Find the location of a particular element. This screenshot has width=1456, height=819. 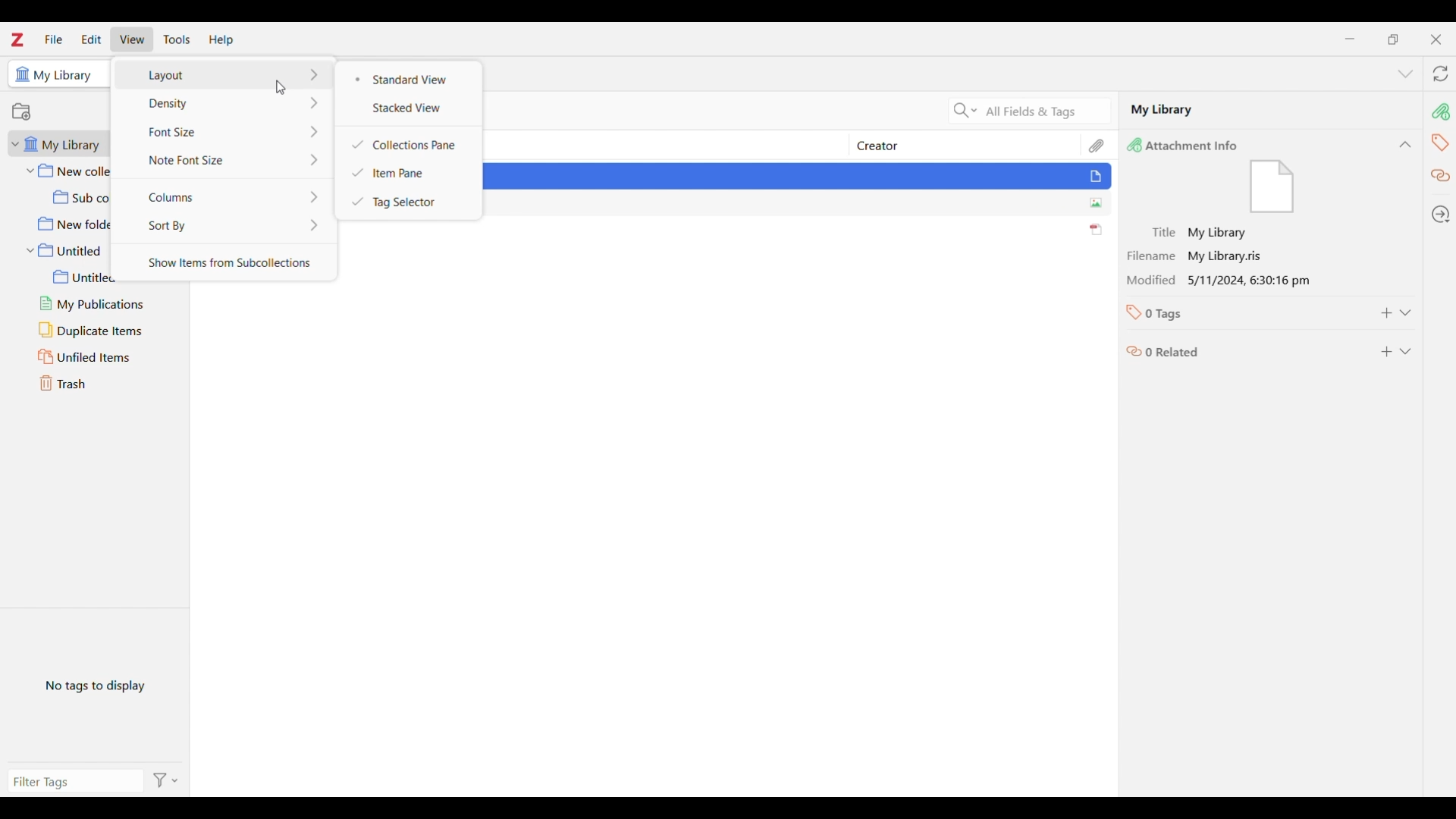

Attachments info is located at coordinates (1191, 144).